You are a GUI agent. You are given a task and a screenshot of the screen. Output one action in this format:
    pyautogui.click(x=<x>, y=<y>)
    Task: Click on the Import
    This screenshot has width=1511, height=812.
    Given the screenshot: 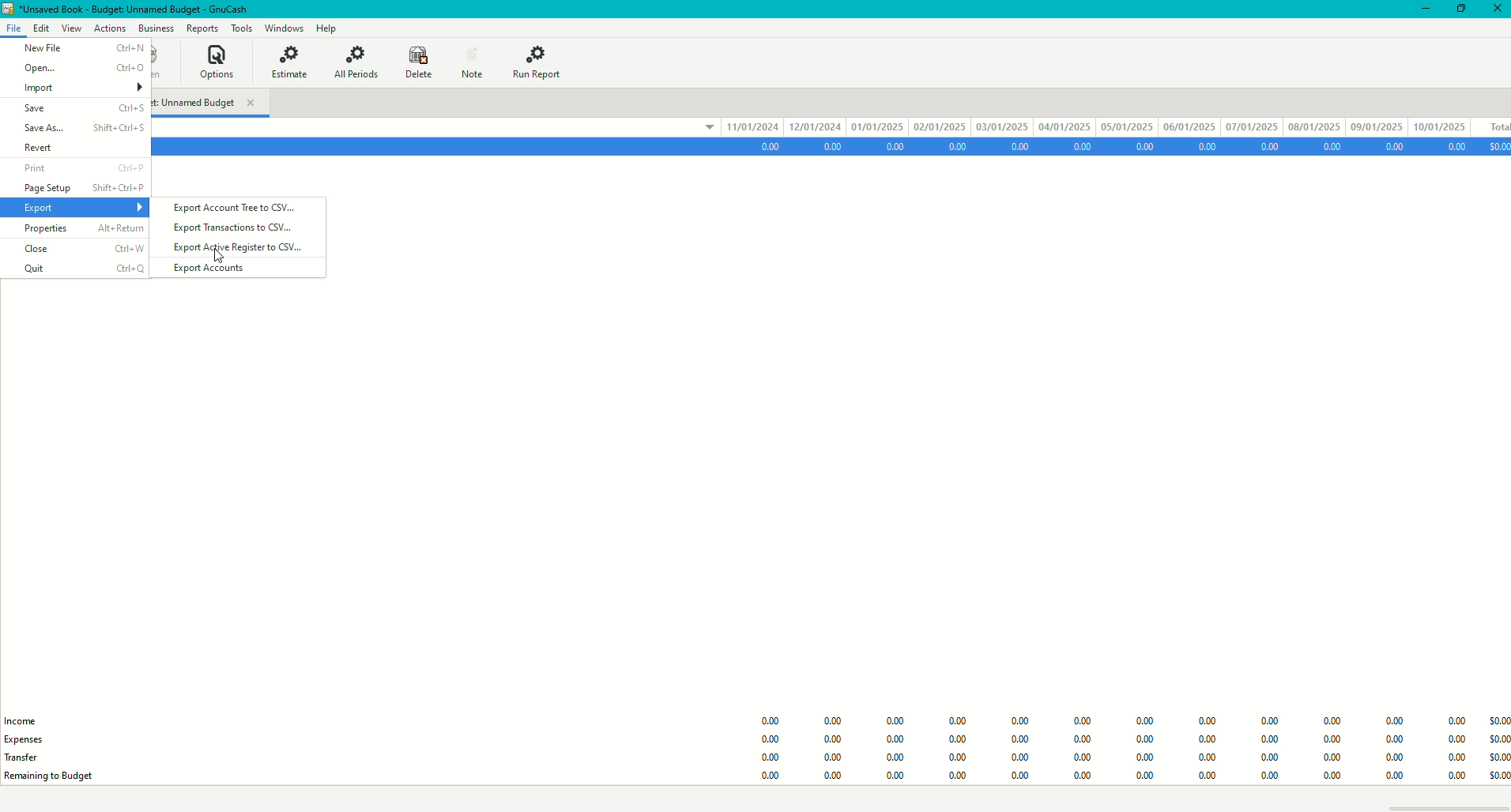 What is the action you would take?
    pyautogui.click(x=81, y=85)
    